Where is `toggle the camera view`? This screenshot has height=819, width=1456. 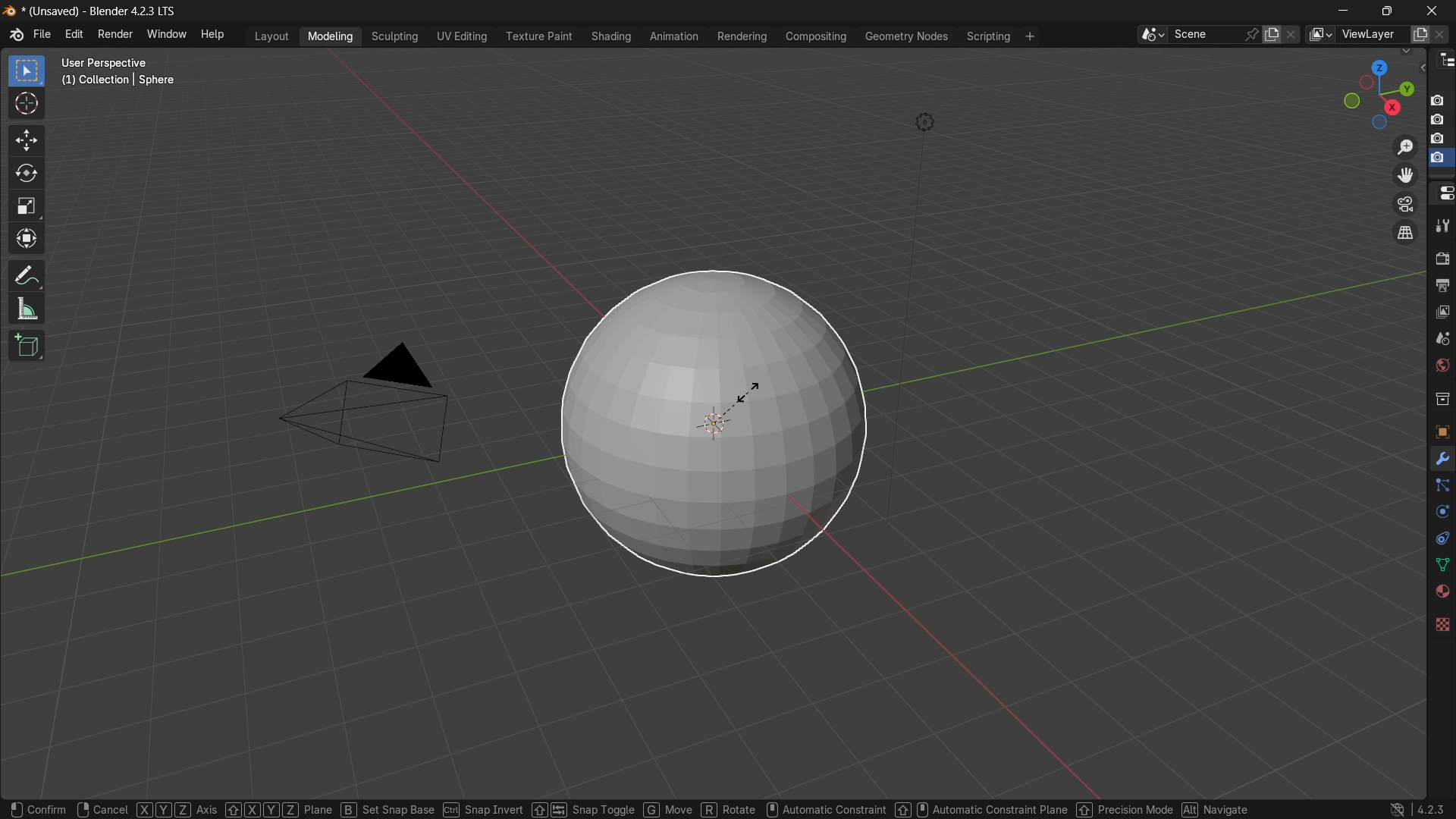 toggle the camera view is located at coordinates (1406, 204).